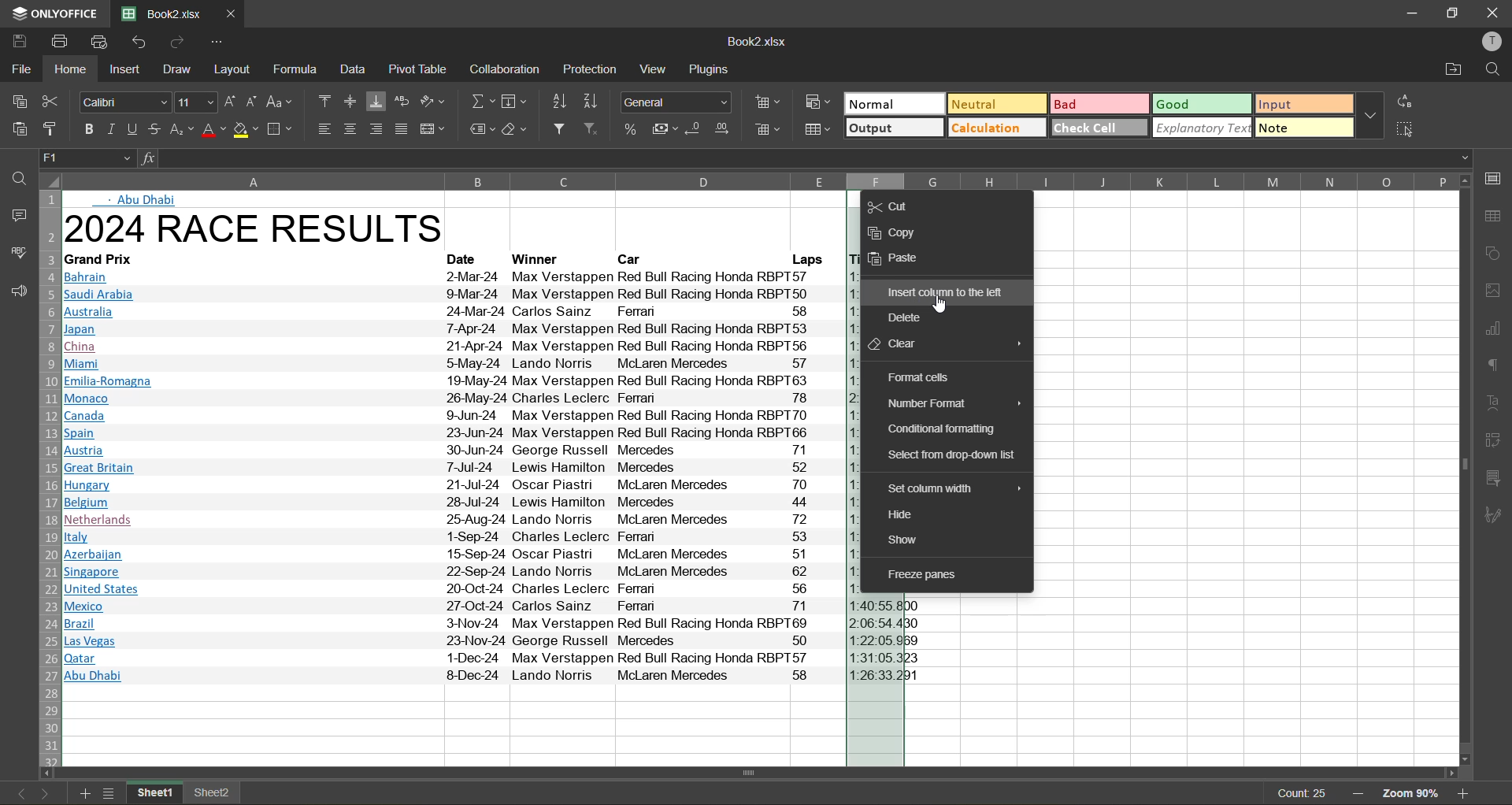  What do you see at coordinates (469, 259) in the screenshot?
I see `Date` at bounding box center [469, 259].